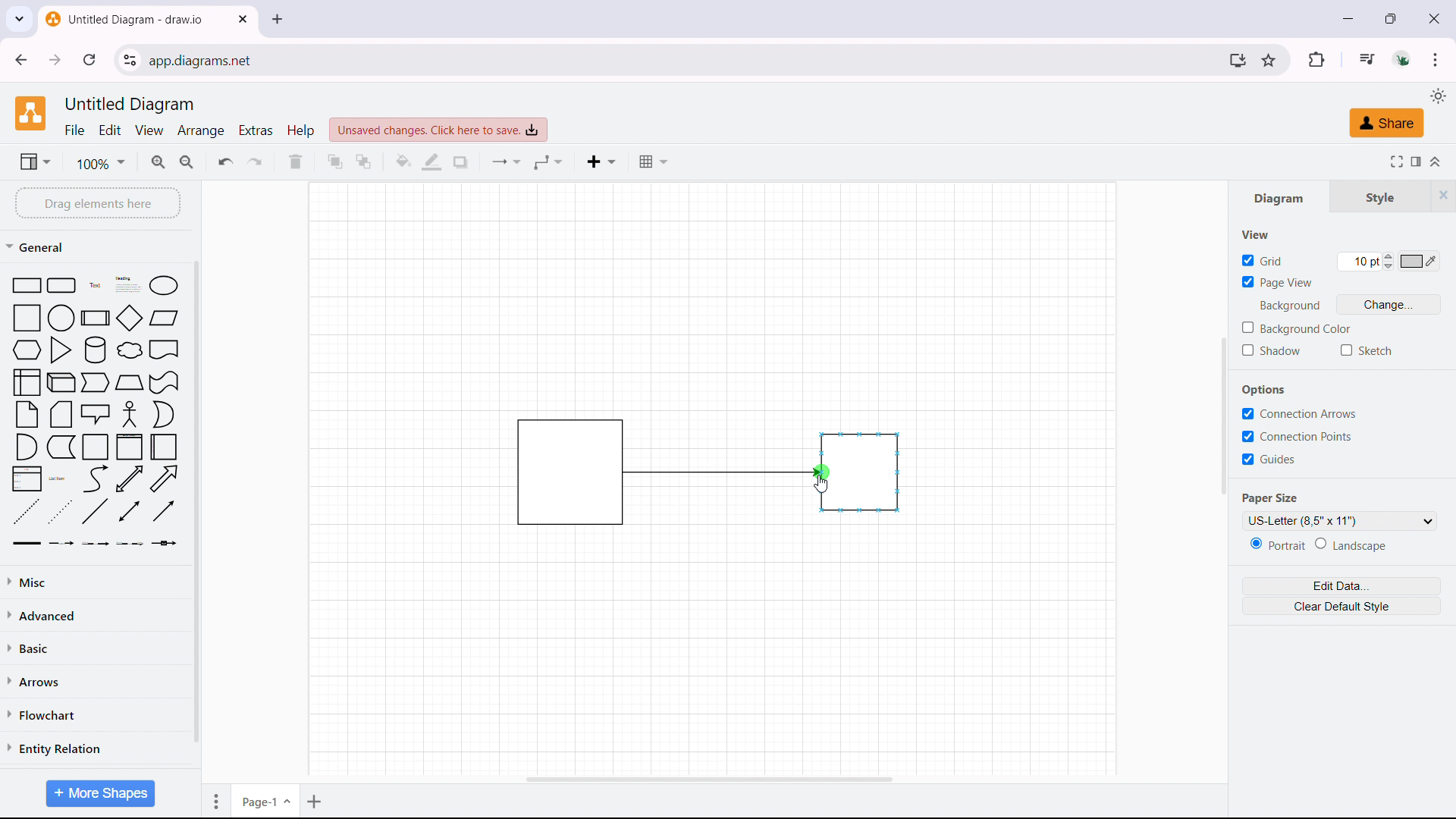  Describe the element at coordinates (150, 131) in the screenshot. I see `view` at that location.